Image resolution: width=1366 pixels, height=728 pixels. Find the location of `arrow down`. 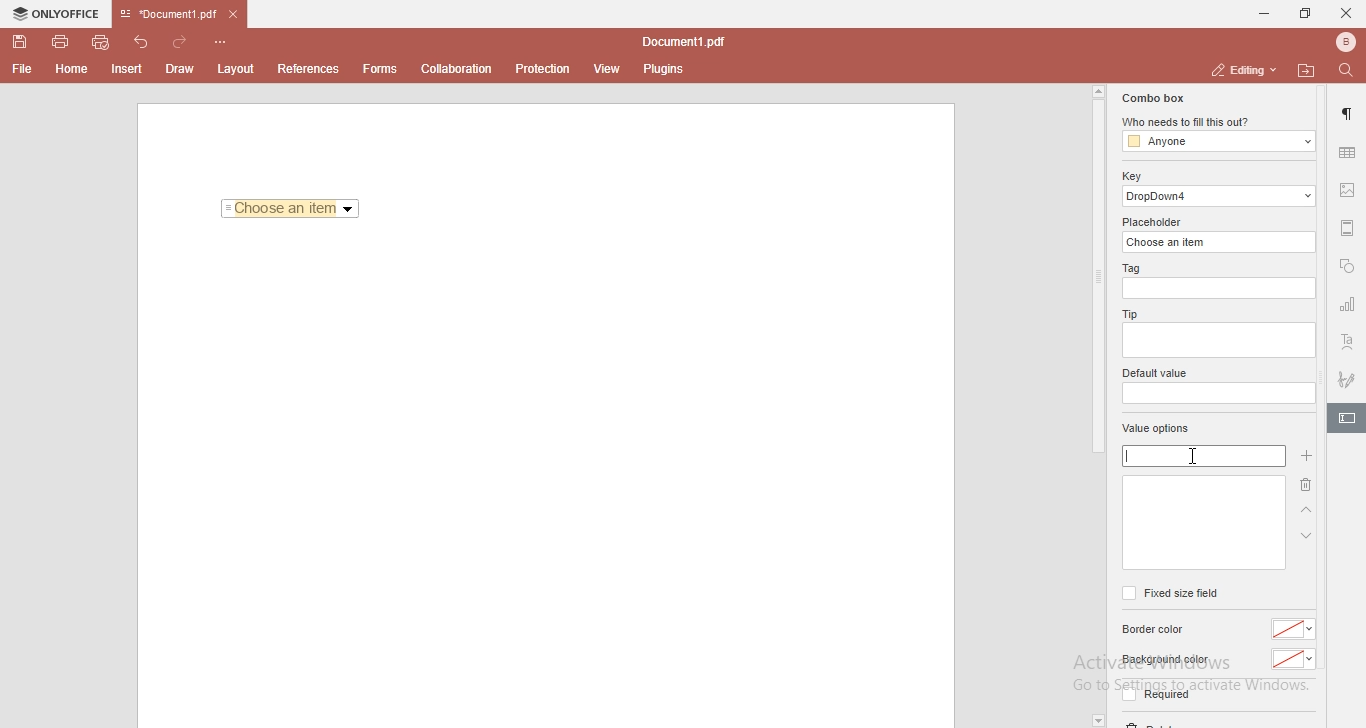

arrow down is located at coordinates (1307, 536).